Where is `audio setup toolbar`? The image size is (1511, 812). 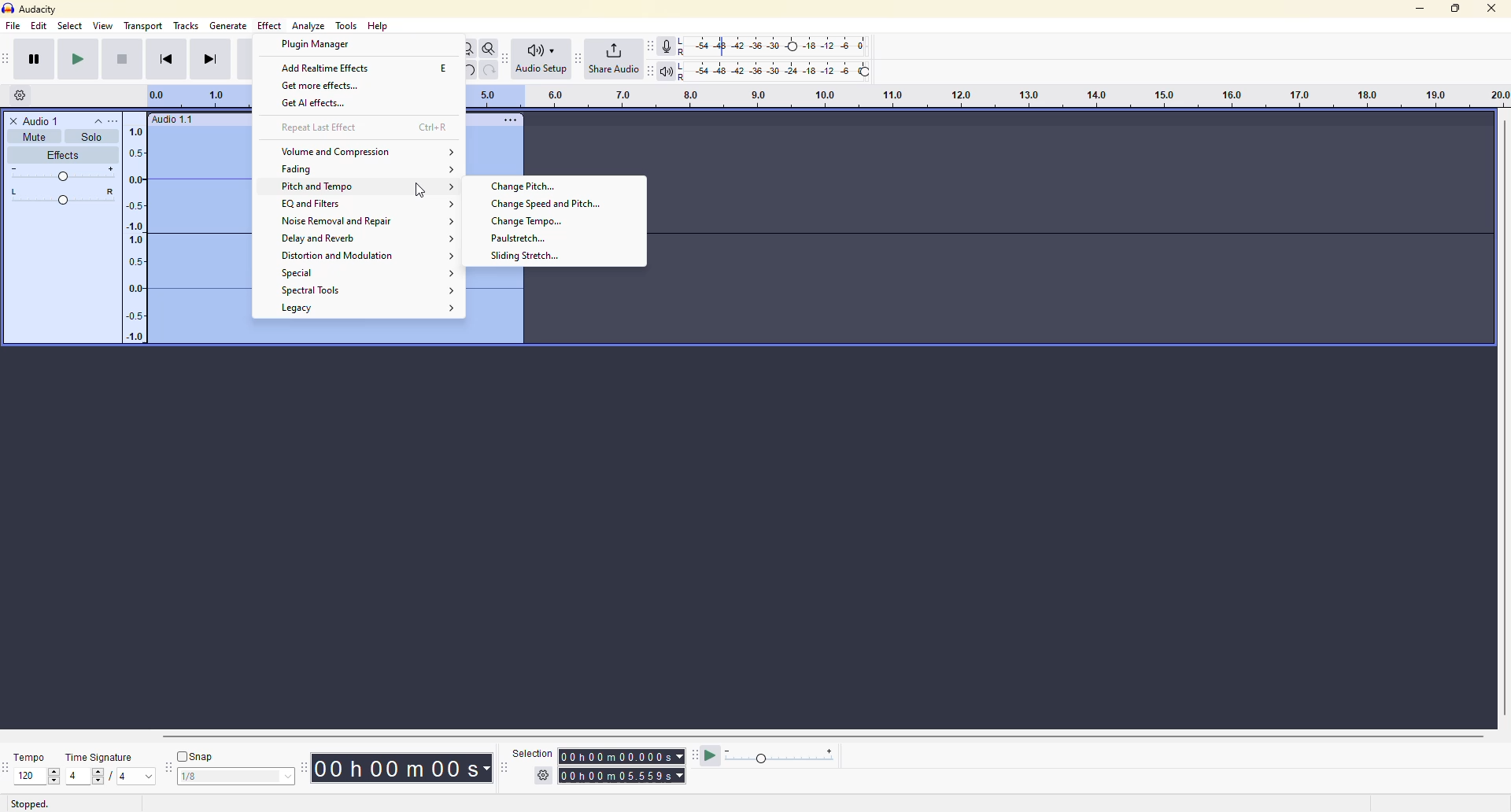 audio setup toolbar is located at coordinates (507, 58).